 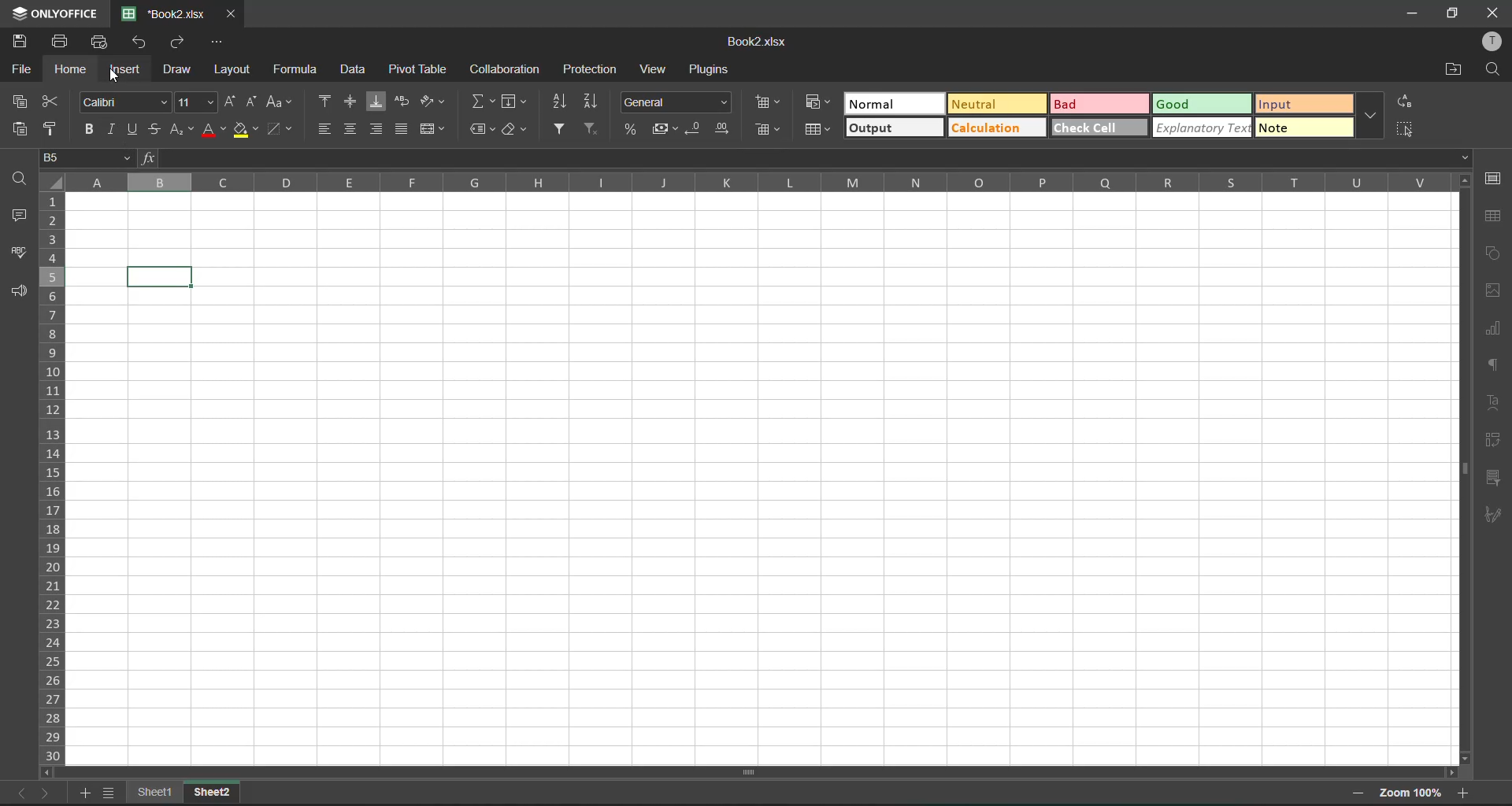 I want to click on insert cells, so click(x=769, y=100).